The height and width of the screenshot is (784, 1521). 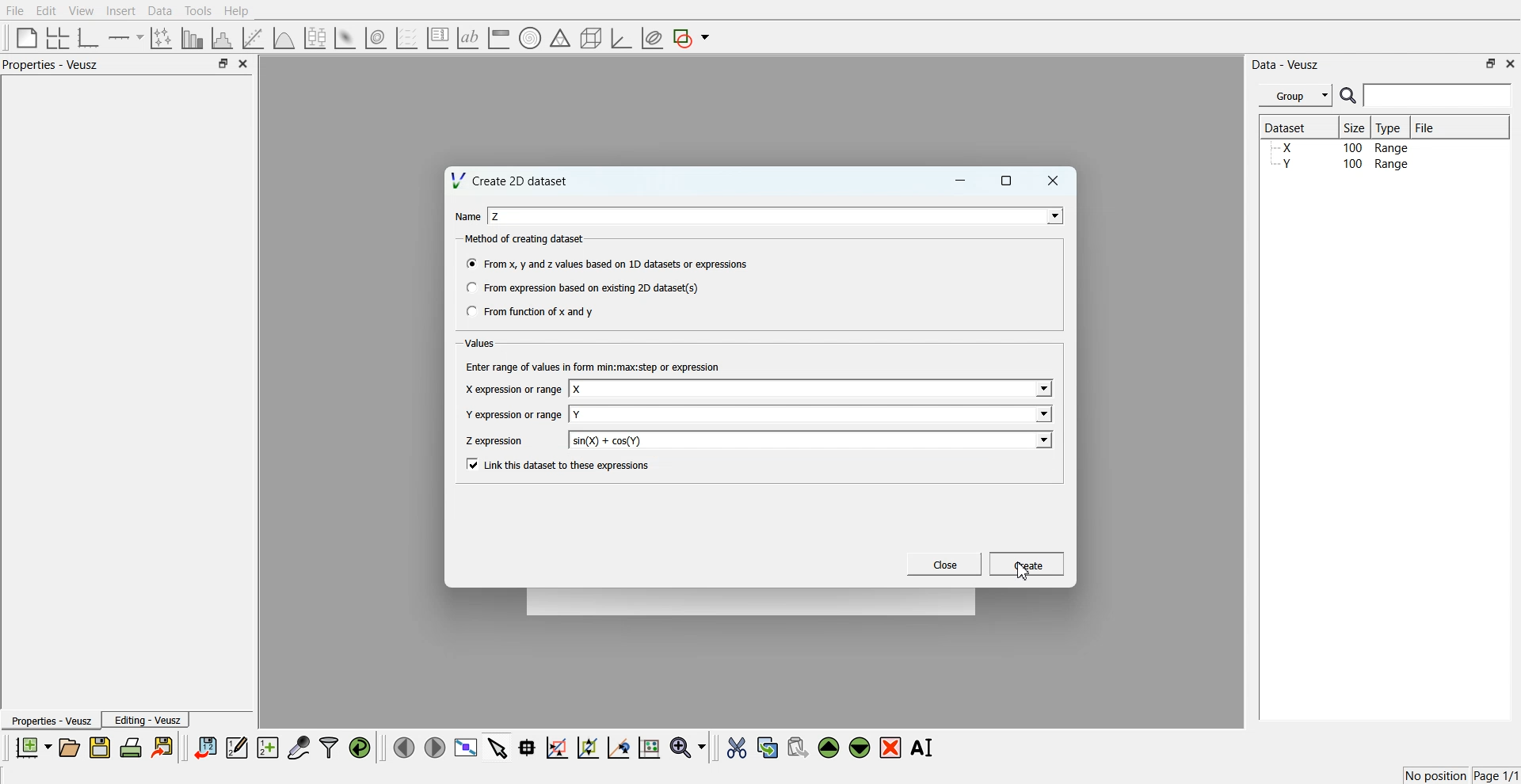 What do you see at coordinates (593, 366) in the screenshot?
I see `~~ Enter range of values in form min:max:step or expression` at bounding box center [593, 366].